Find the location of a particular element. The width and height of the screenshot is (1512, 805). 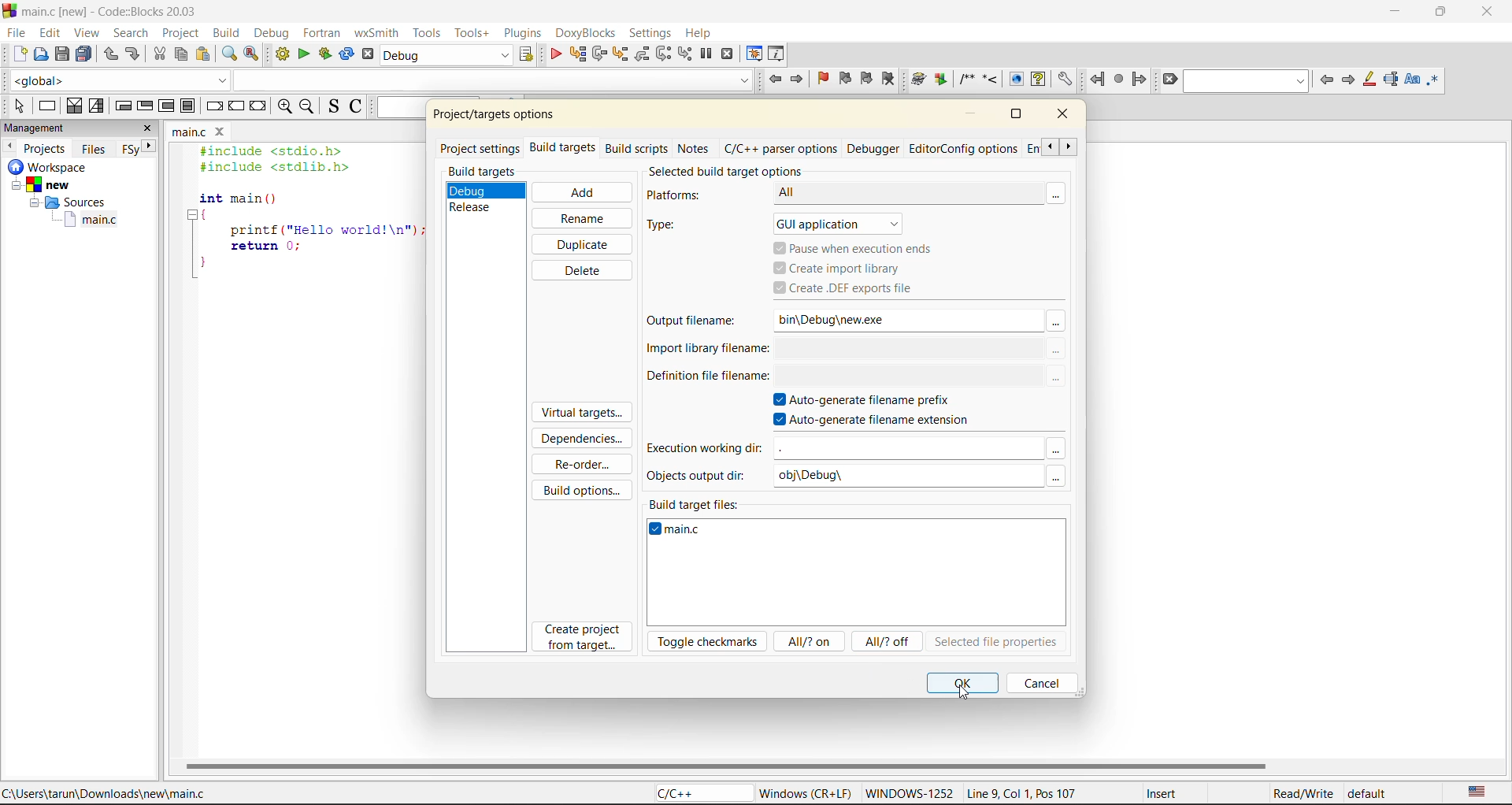

main.c is located at coordinates (187, 132).